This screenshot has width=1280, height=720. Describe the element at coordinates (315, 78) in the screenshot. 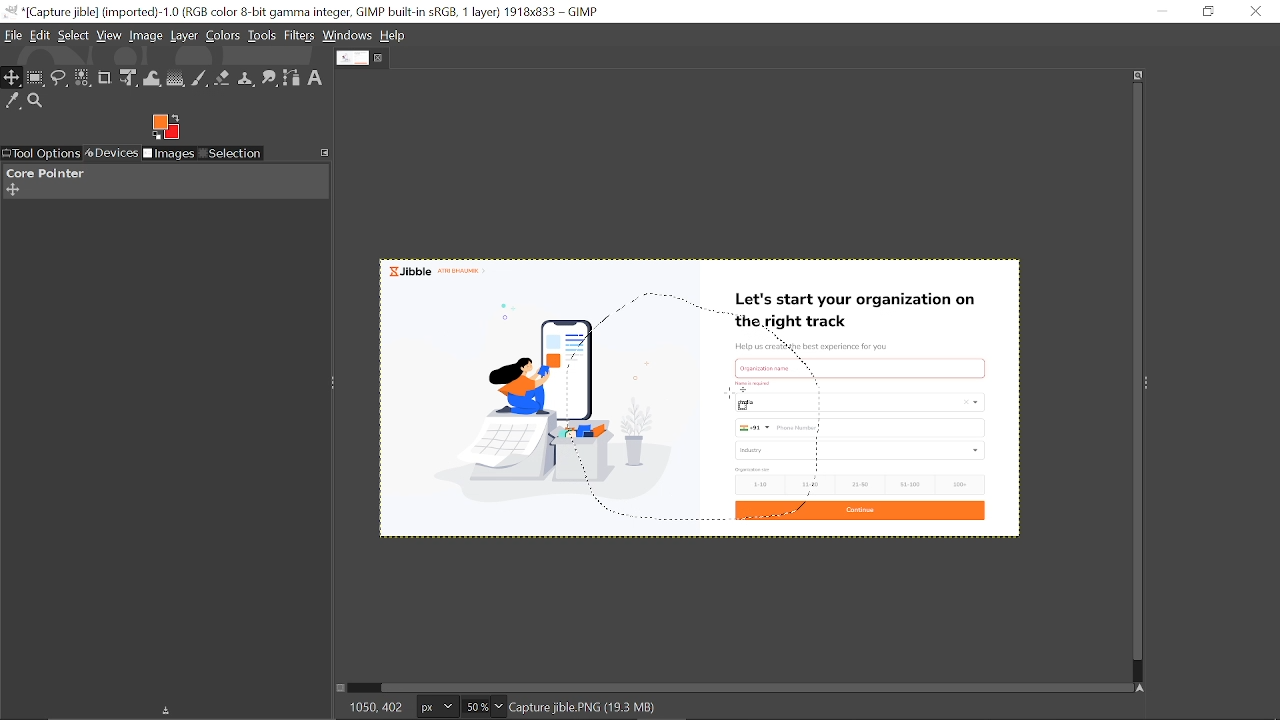

I see `Text tool` at that location.